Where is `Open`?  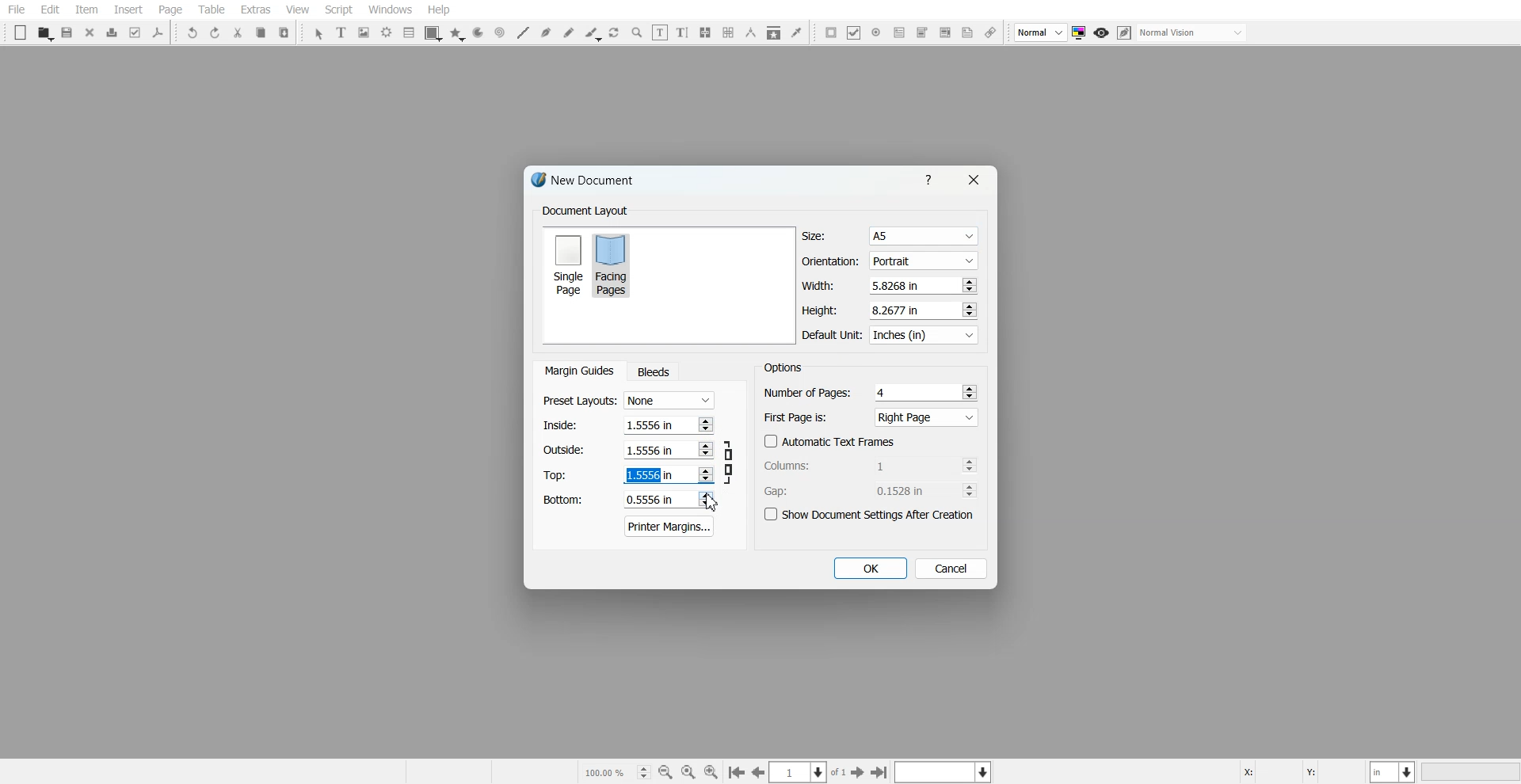 Open is located at coordinates (44, 33).